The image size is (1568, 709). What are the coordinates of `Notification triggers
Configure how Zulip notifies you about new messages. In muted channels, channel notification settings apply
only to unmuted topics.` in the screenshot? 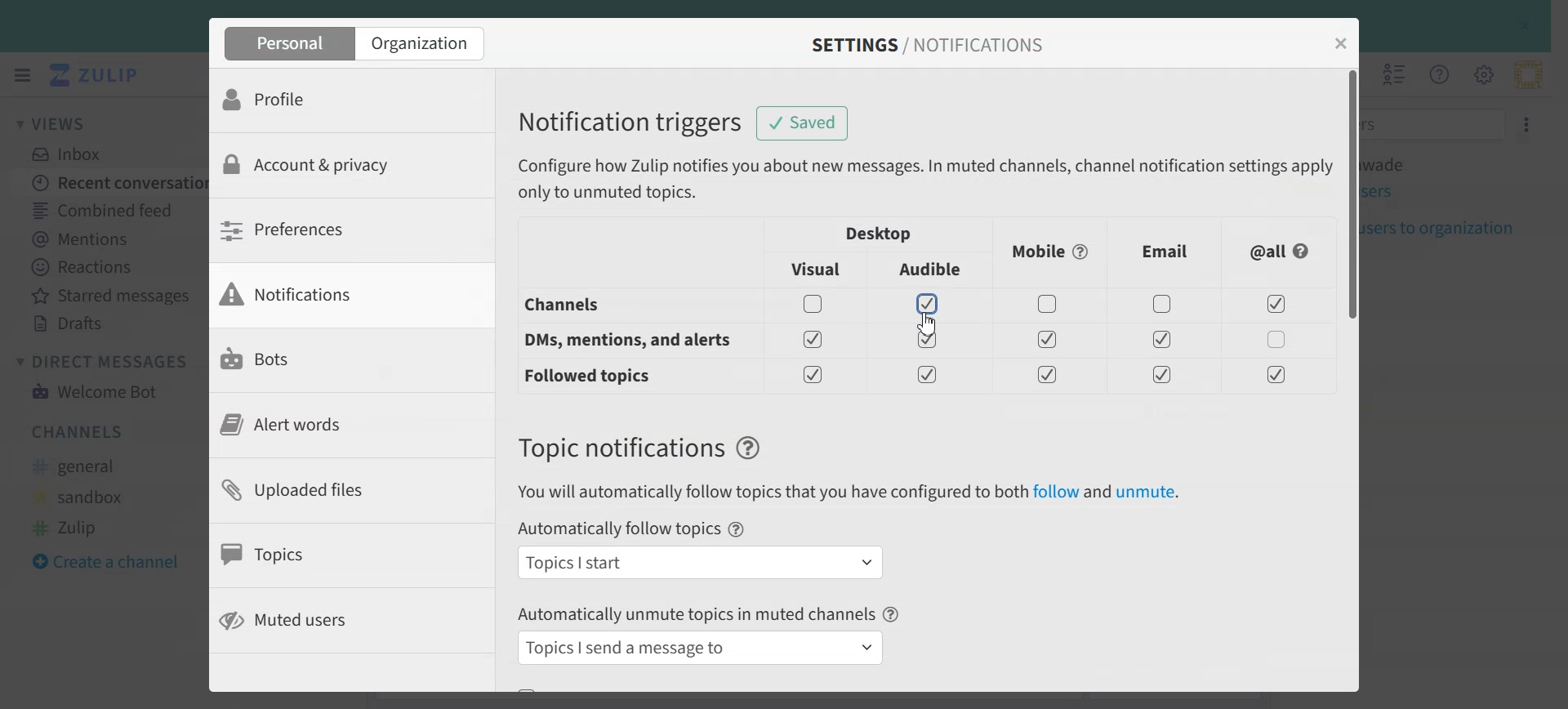 It's located at (920, 155).